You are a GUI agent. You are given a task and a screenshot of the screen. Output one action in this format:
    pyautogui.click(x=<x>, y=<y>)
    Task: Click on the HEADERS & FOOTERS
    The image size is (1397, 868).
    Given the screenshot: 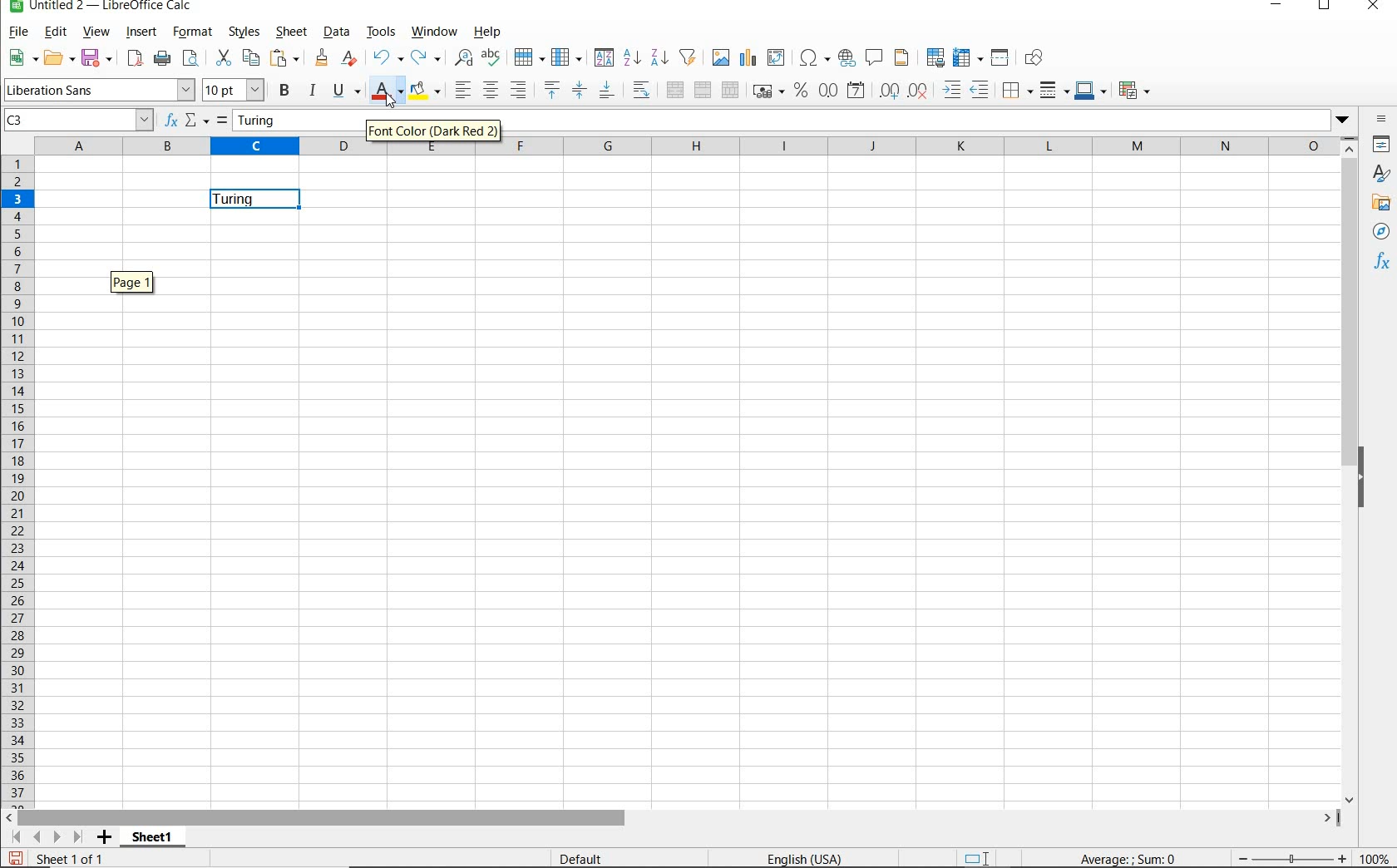 What is the action you would take?
    pyautogui.click(x=901, y=57)
    